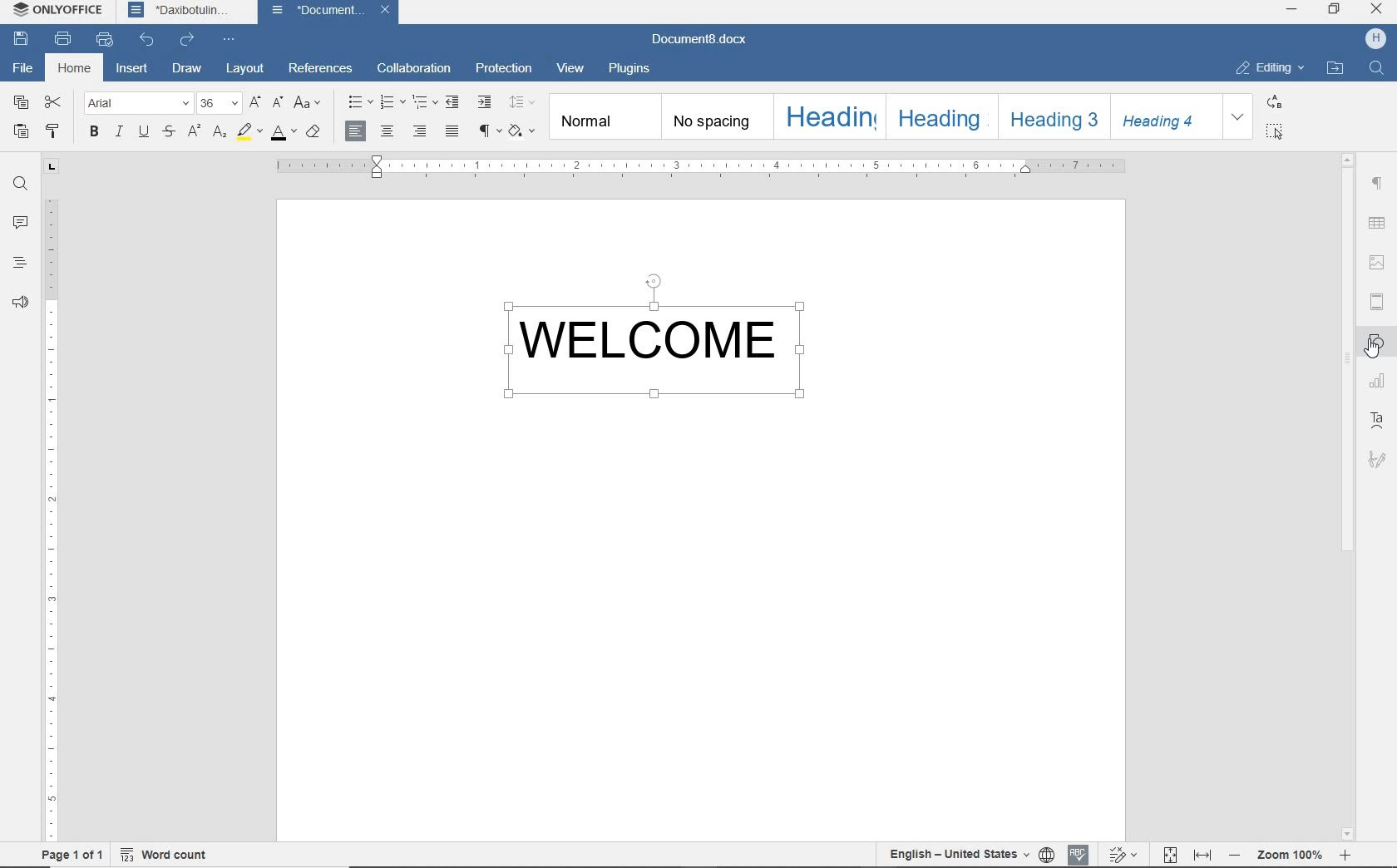 Image resolution: width=1397 pixels, height=868 pixels. What do you see at coordinates (1204, 856) in the screenshot?
I see `FIT TO WIDTH` at bounding box center [1204, 856].